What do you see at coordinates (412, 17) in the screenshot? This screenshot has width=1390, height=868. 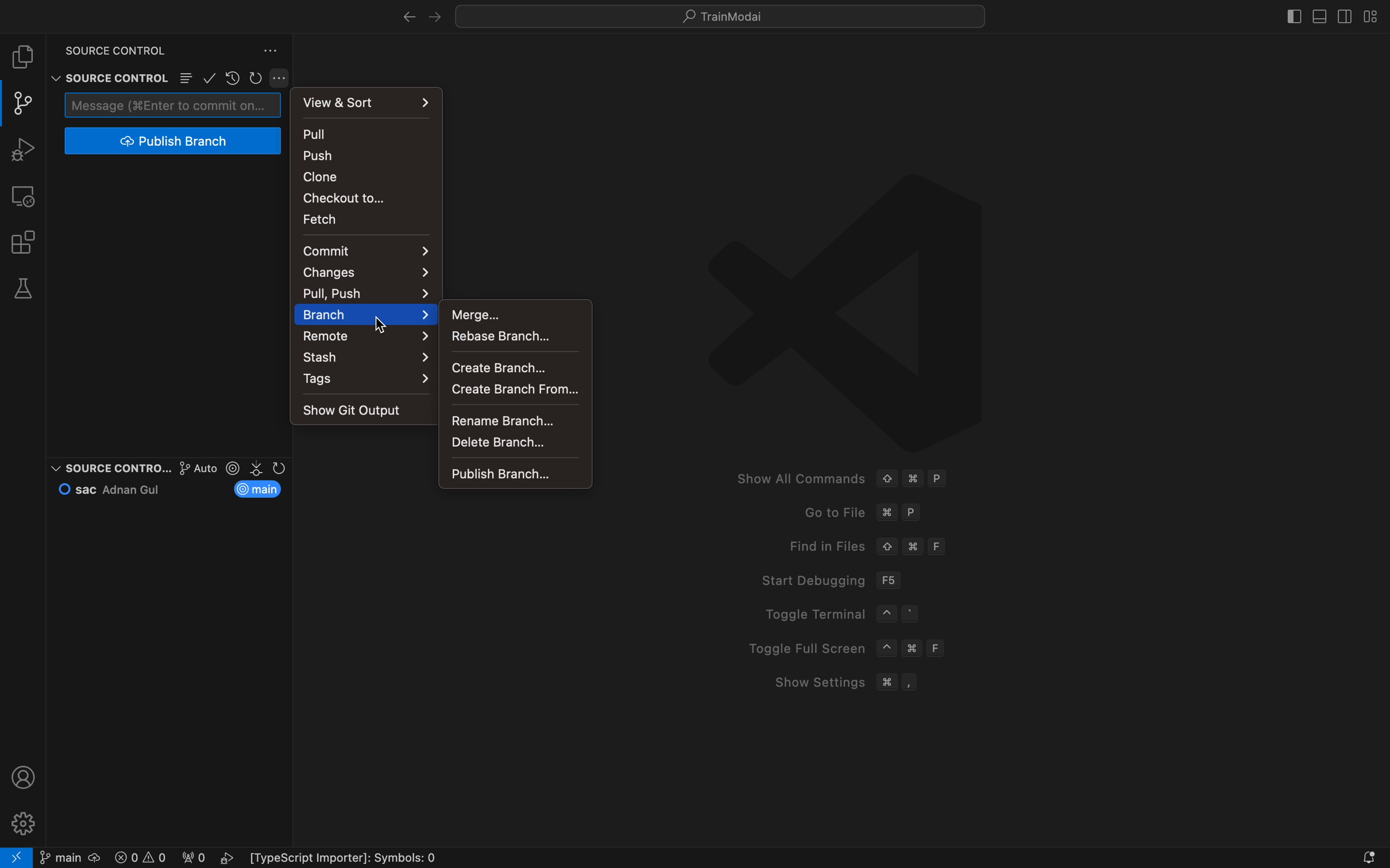 I see `arrows` at bounding box center [412, 17].